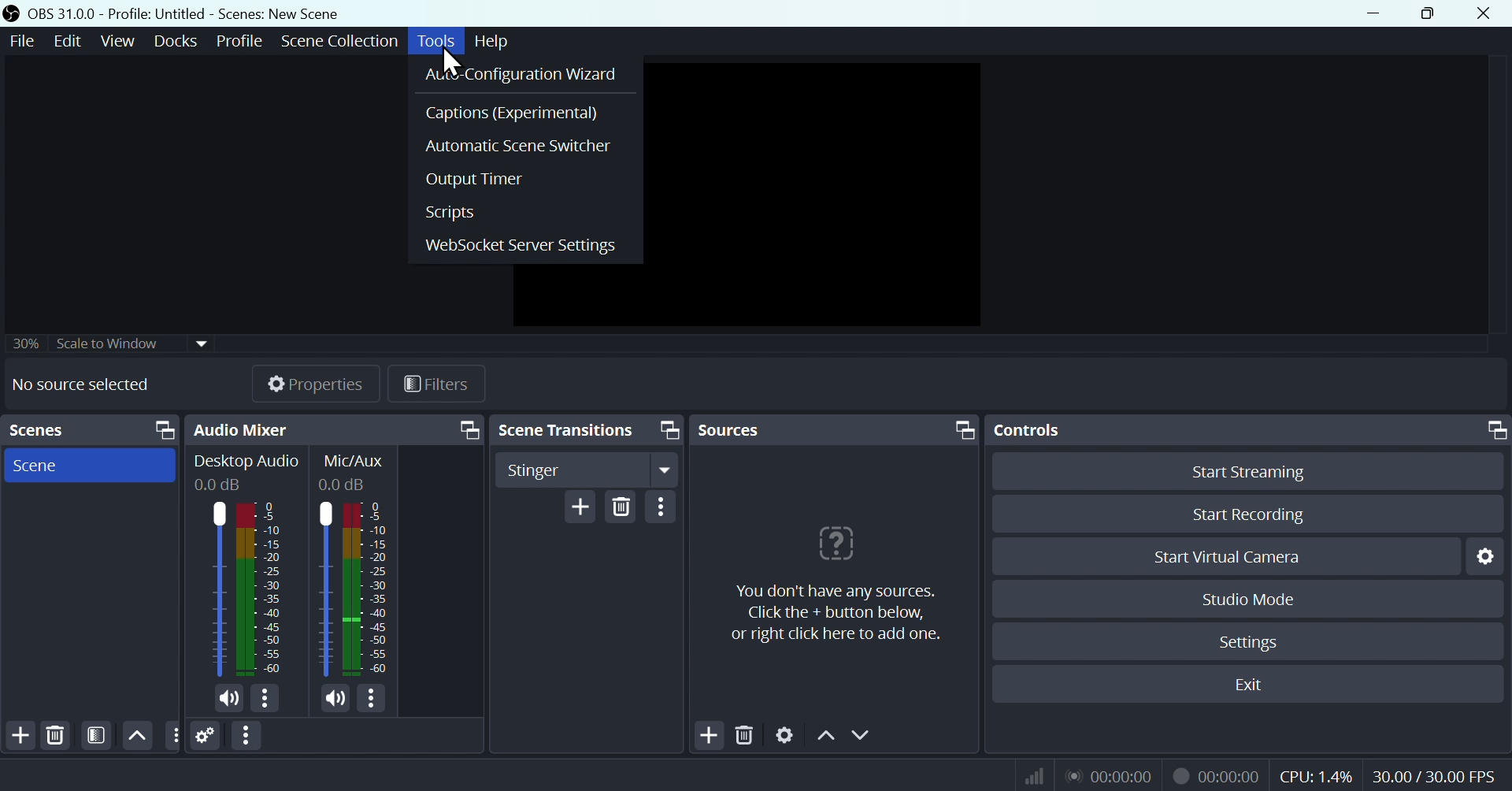 Image resolution: width=1512 pixels, height=791 pixels. I want to click on Profile, so click(235, 41).